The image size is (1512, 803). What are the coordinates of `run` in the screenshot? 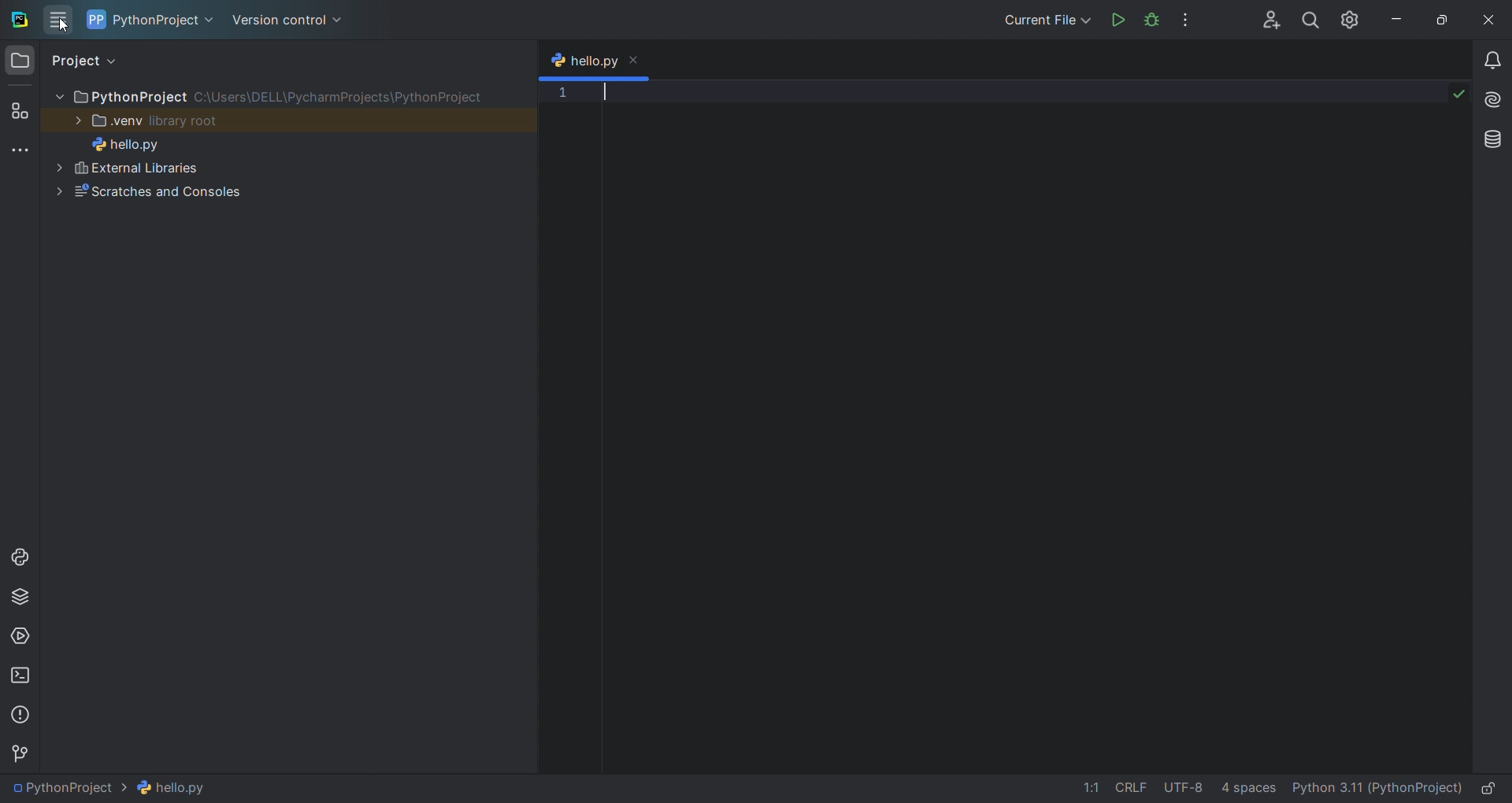 It's located at (1116, 18).